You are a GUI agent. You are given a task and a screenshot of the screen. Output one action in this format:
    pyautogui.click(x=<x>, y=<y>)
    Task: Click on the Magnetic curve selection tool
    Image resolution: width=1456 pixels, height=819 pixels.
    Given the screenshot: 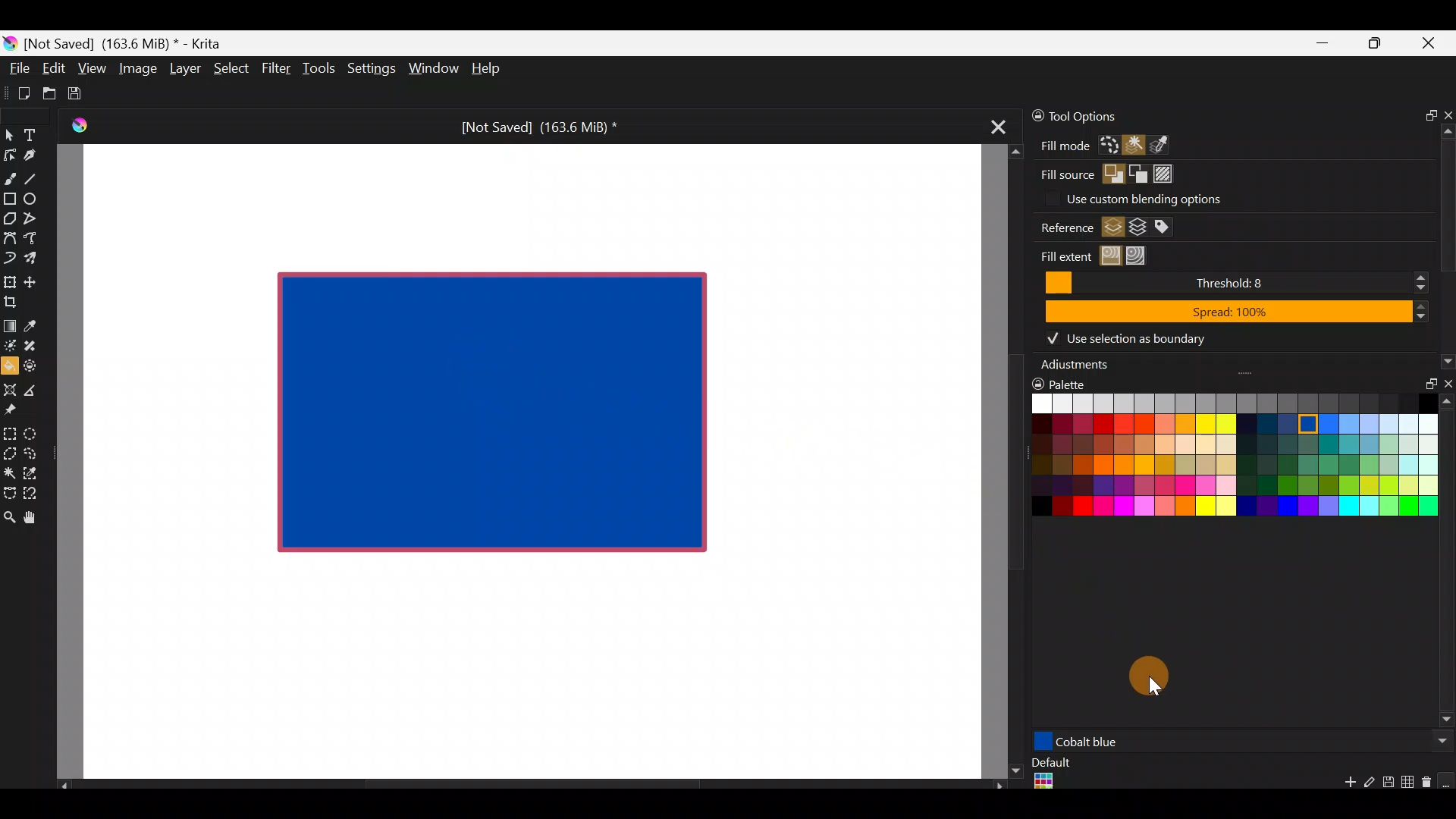 What is the action you would take?
    pyautogui.click(x=33, y=490)
    